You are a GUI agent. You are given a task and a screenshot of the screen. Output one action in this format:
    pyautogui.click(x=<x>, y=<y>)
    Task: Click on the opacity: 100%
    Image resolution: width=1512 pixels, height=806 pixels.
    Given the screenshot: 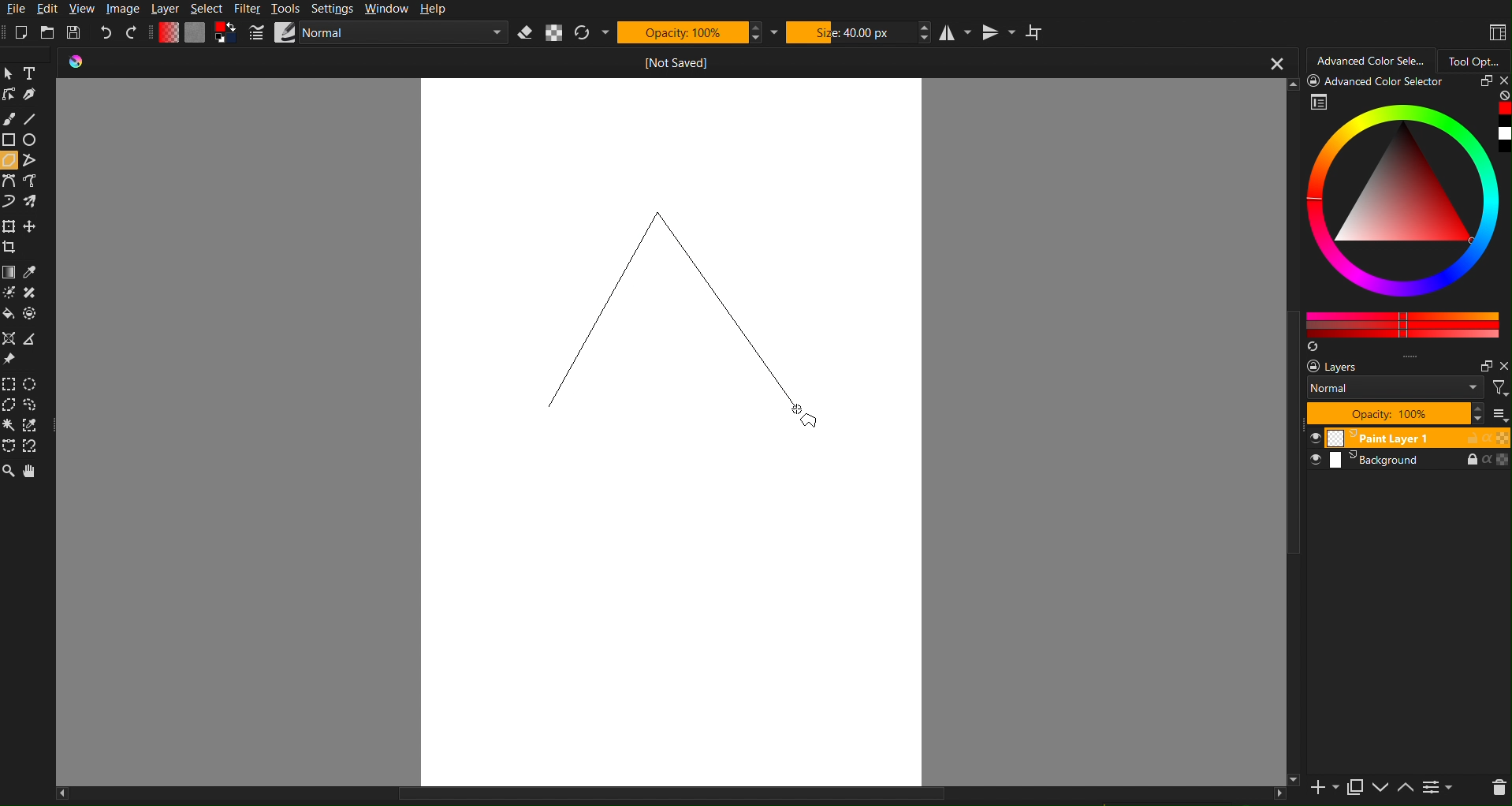 What is the action you would take?
    pyautogui.click(x=1393, y=412)
    